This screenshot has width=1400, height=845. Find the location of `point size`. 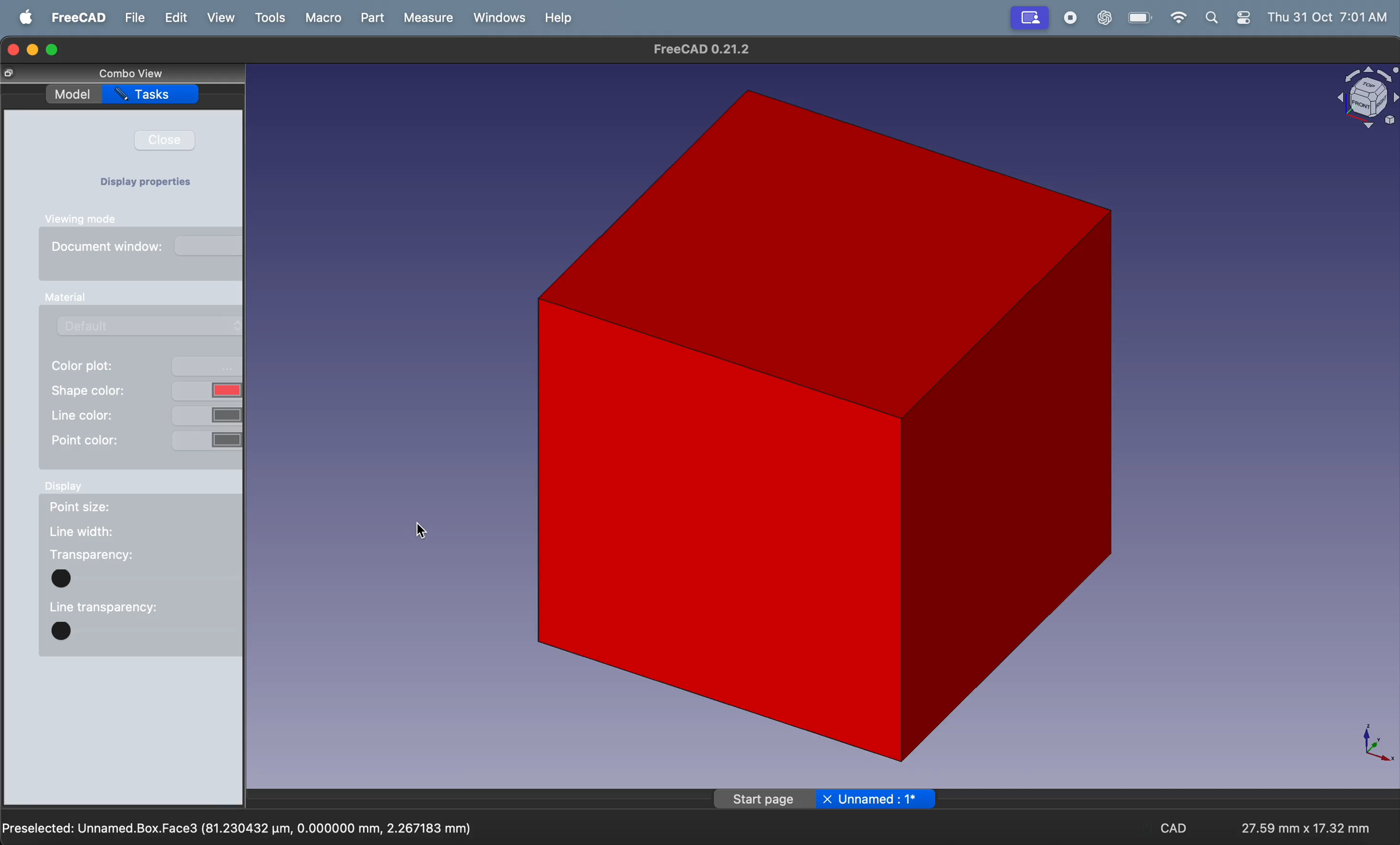

point size is located at coordinates (97, 509).